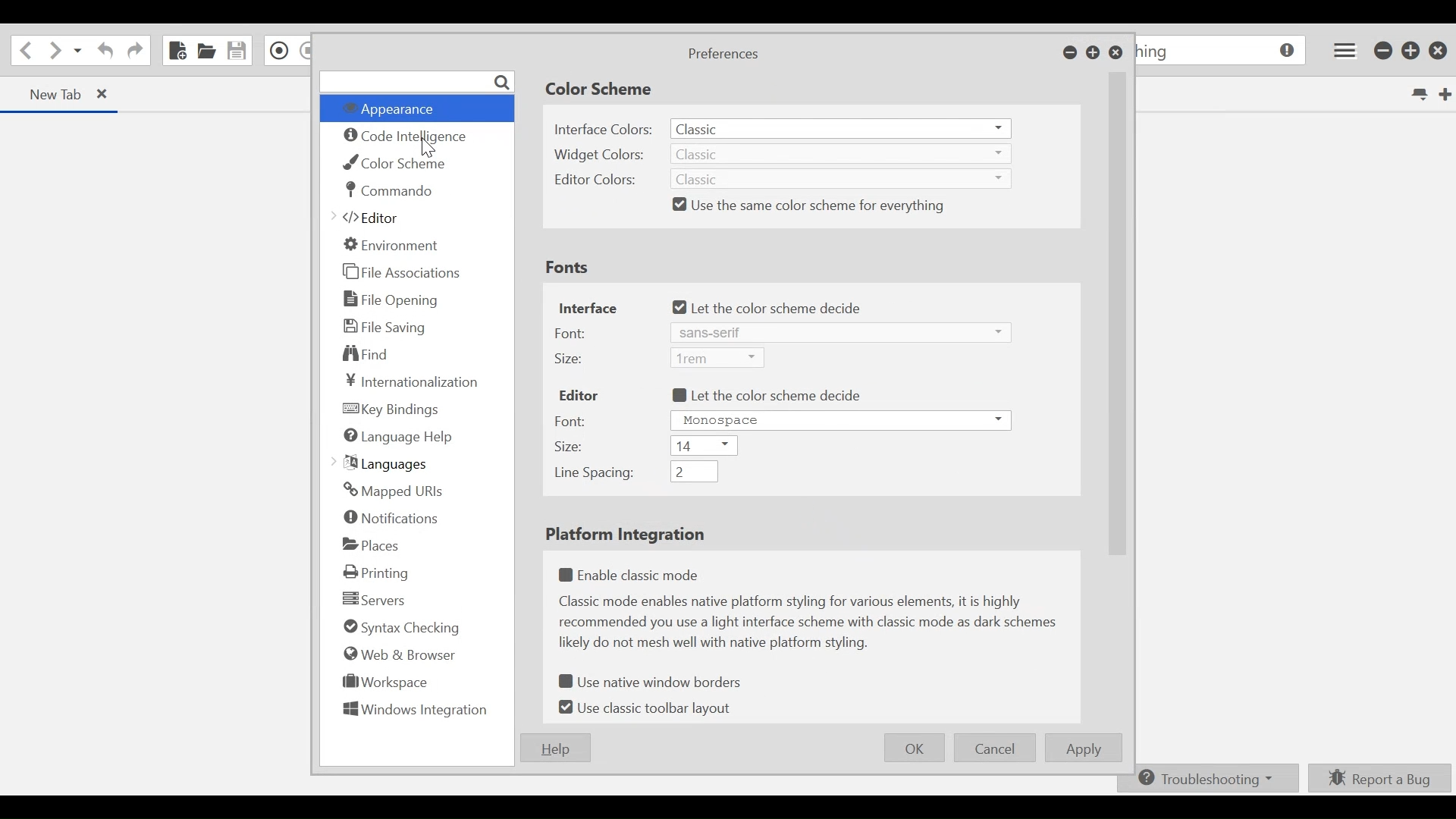 The image size is (1456, 819). Describe the element at coordinates (1441, 50) in the screenshot. I see `close` at that location.